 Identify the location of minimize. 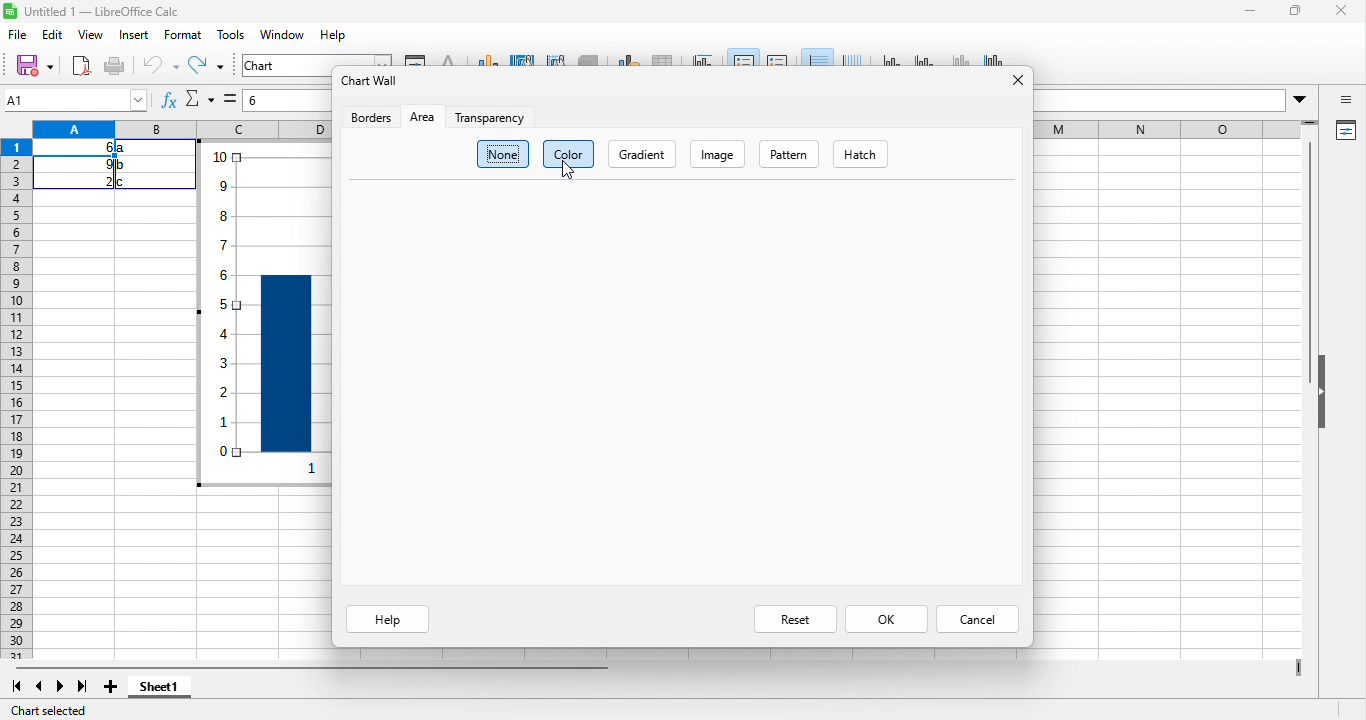
(1250, 10).